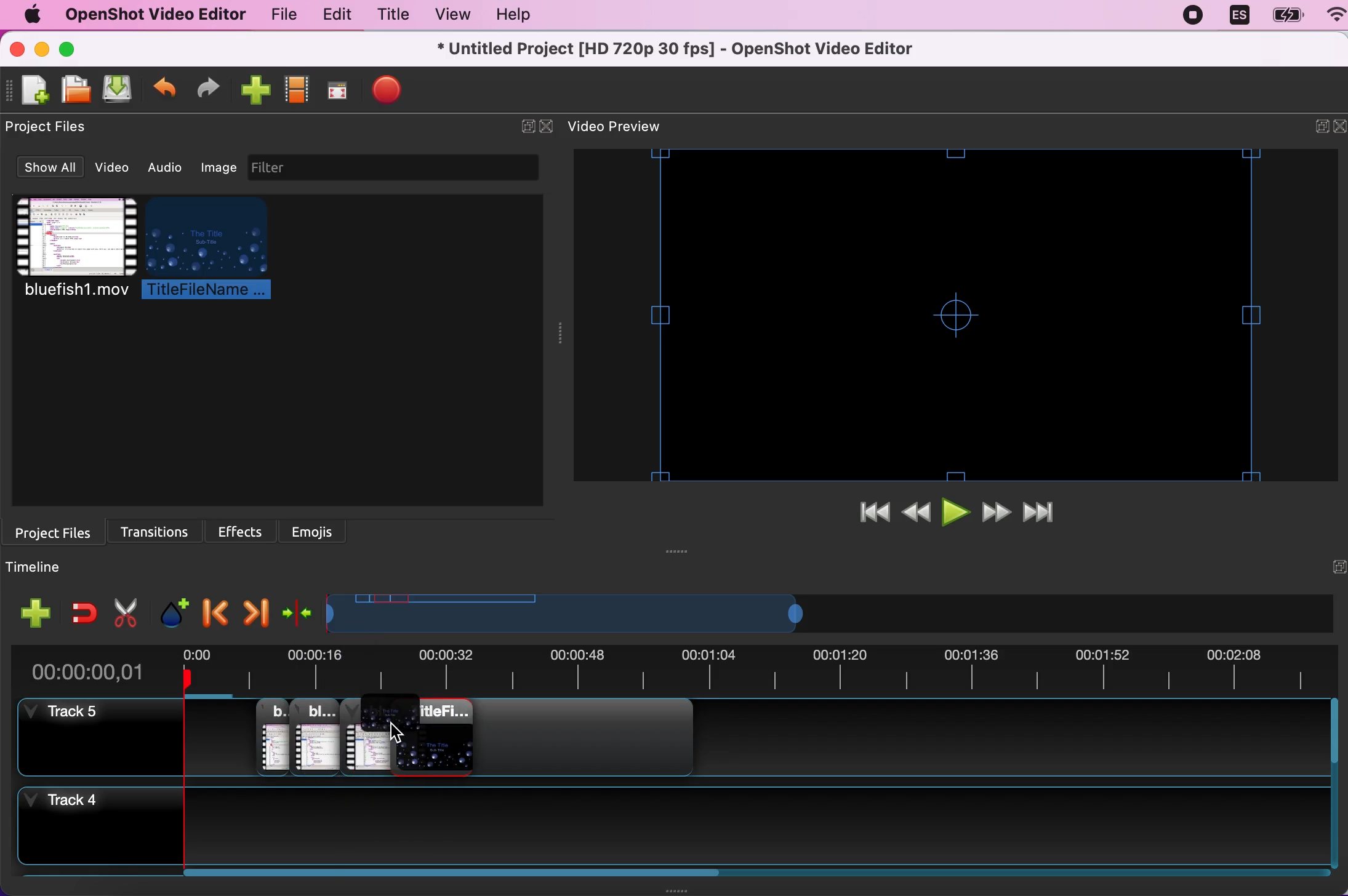 The width and height of the screenshot is (1348, 896). What do you see at coordinates (18, 49) in the screenshot?
I see `close` at bounding box center [18, 49].